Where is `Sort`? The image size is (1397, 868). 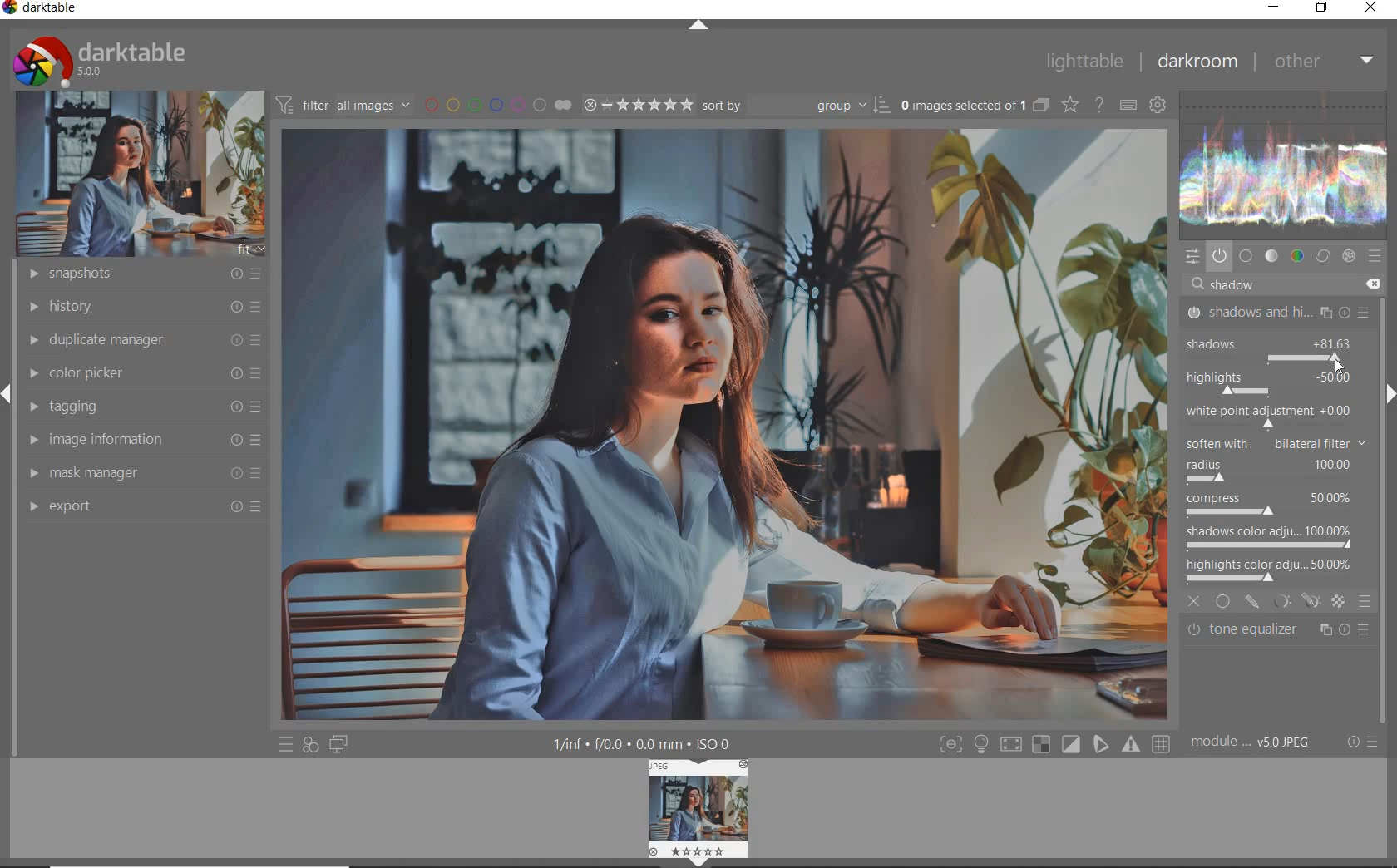 Sort is located at coordinates (797, 104).